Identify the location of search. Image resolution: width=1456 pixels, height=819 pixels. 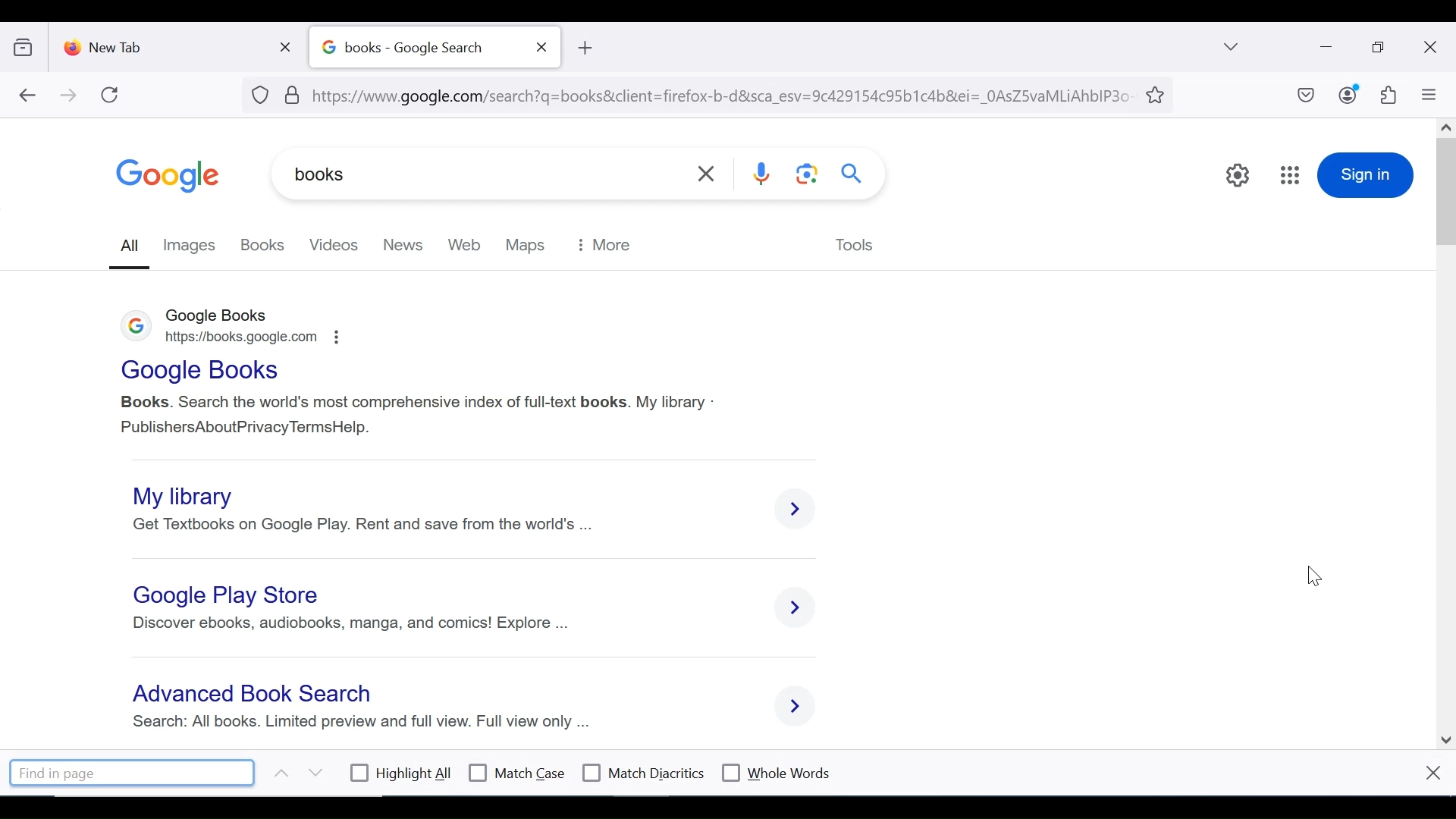
(853, 172).